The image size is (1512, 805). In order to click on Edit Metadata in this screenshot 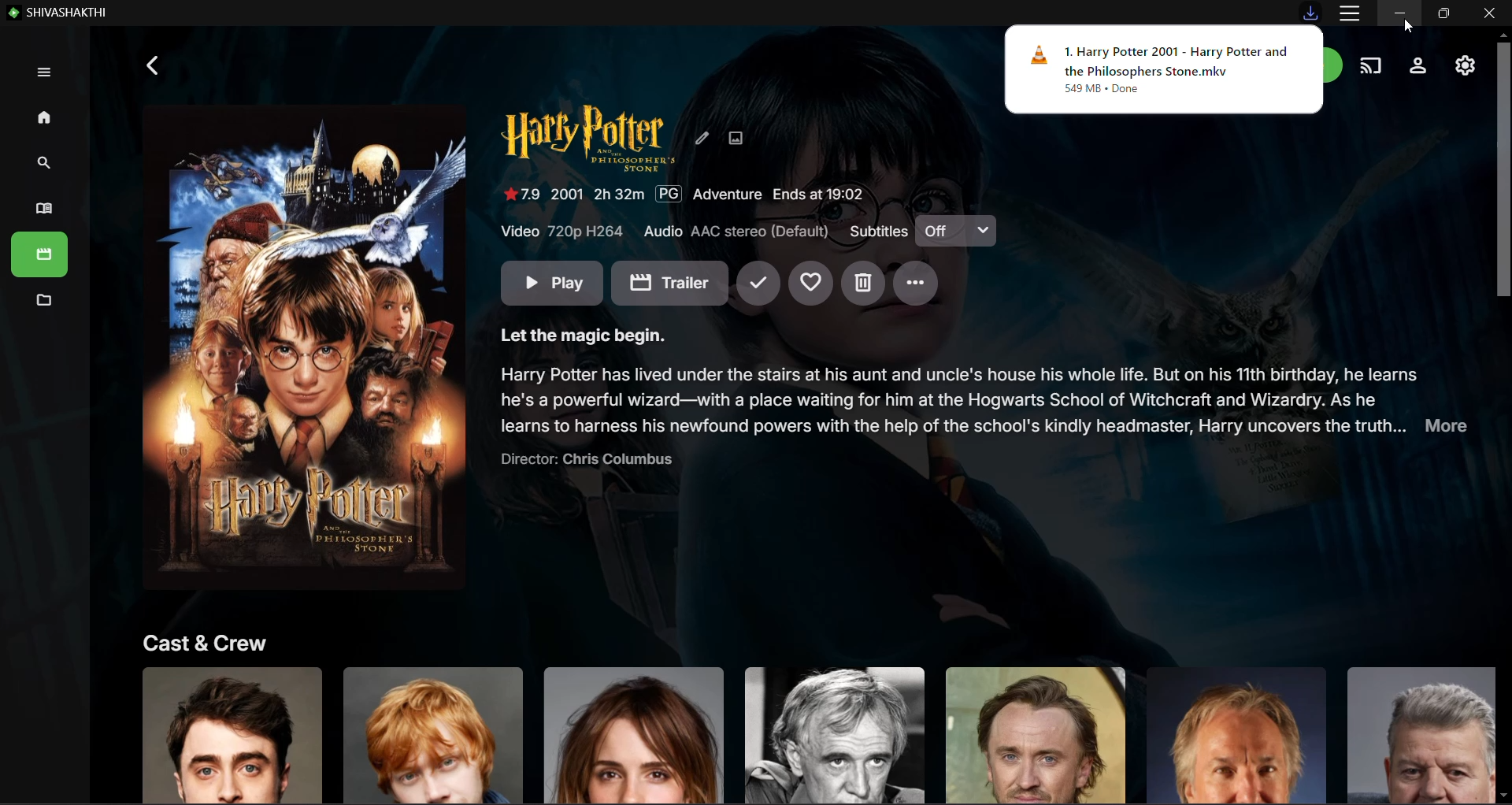, I will do `click(702, 137)`.